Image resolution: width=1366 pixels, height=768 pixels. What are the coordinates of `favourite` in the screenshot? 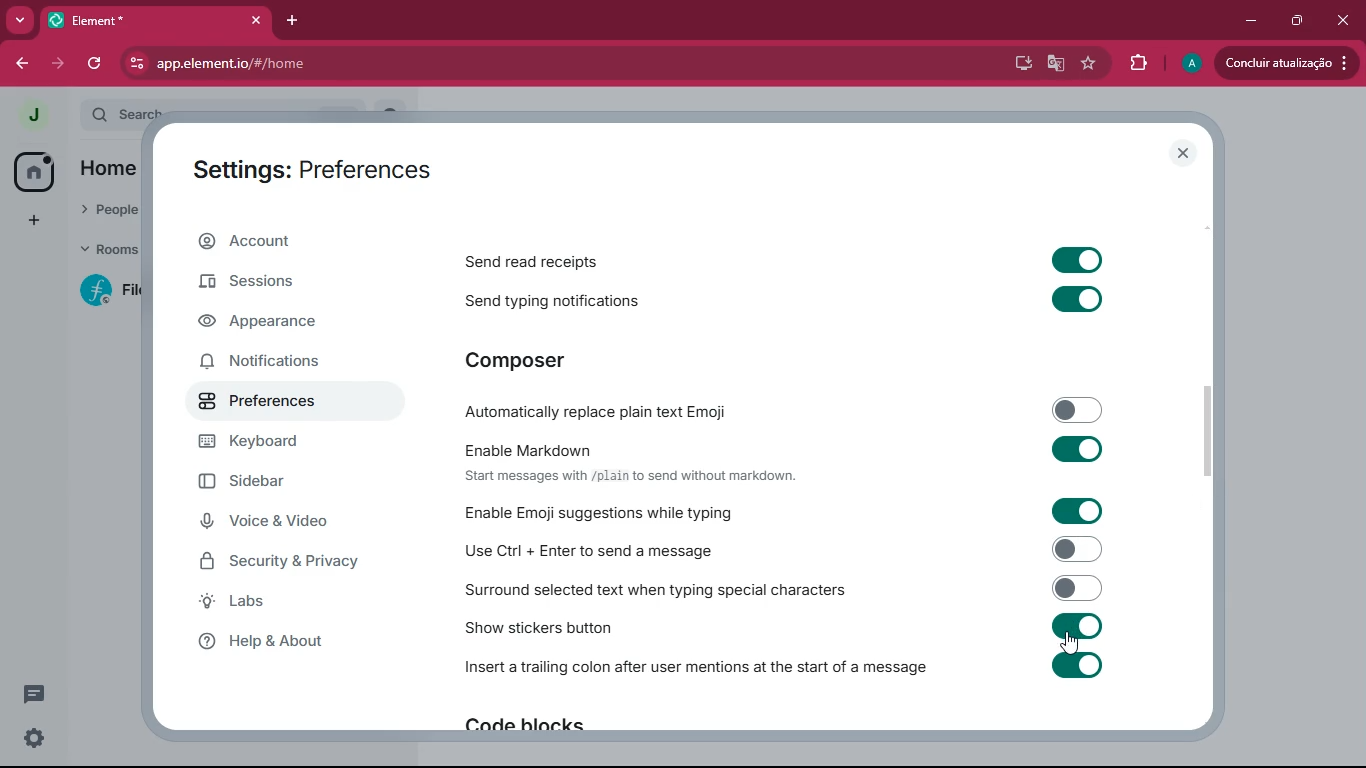 It's located at (1089, 64).